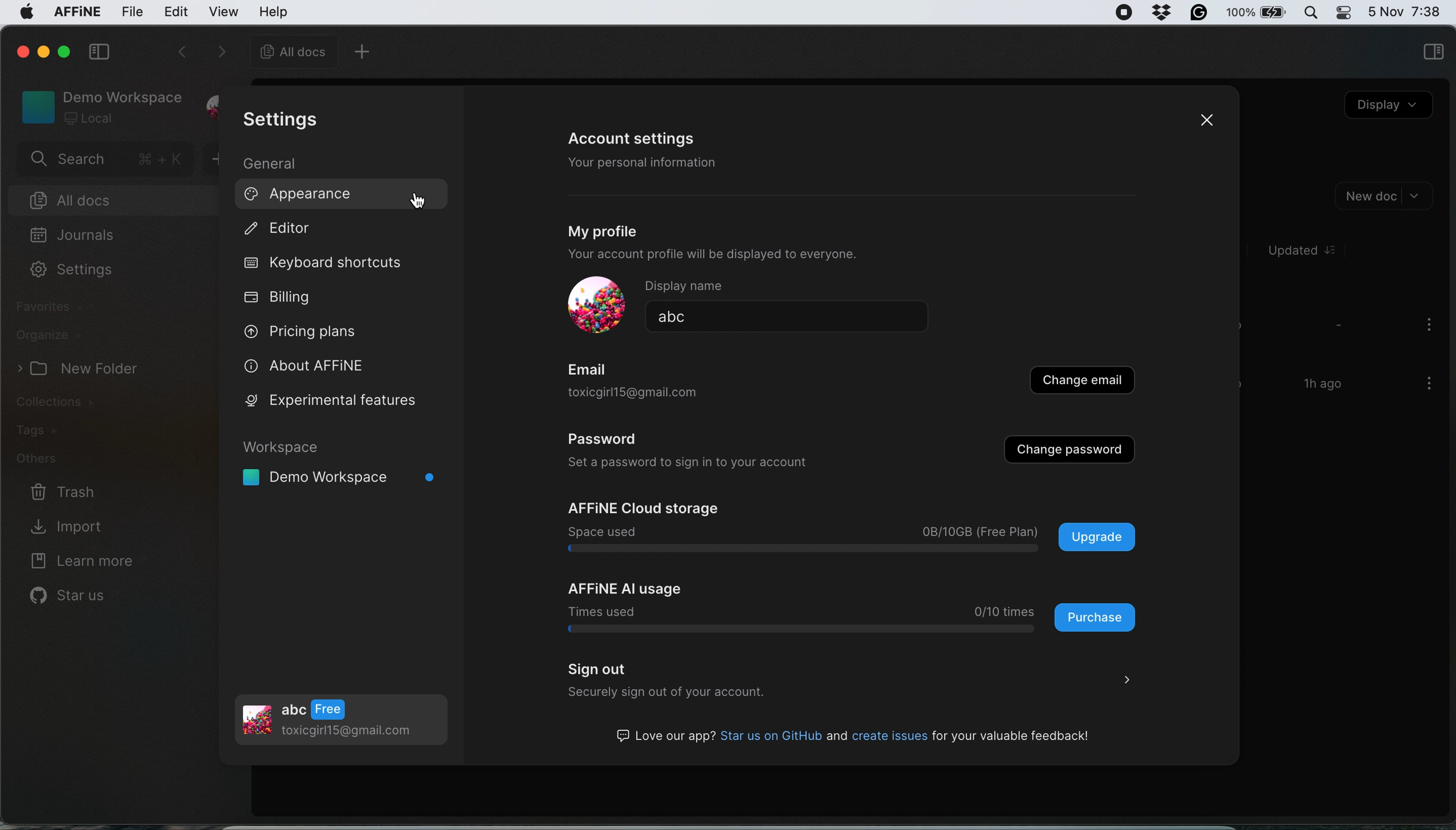 This screenshot has height=830, width=1456. What do you see at coordinates (317, 366) in the screenshot?
I see `about affine` at bounding box center [317, 366].